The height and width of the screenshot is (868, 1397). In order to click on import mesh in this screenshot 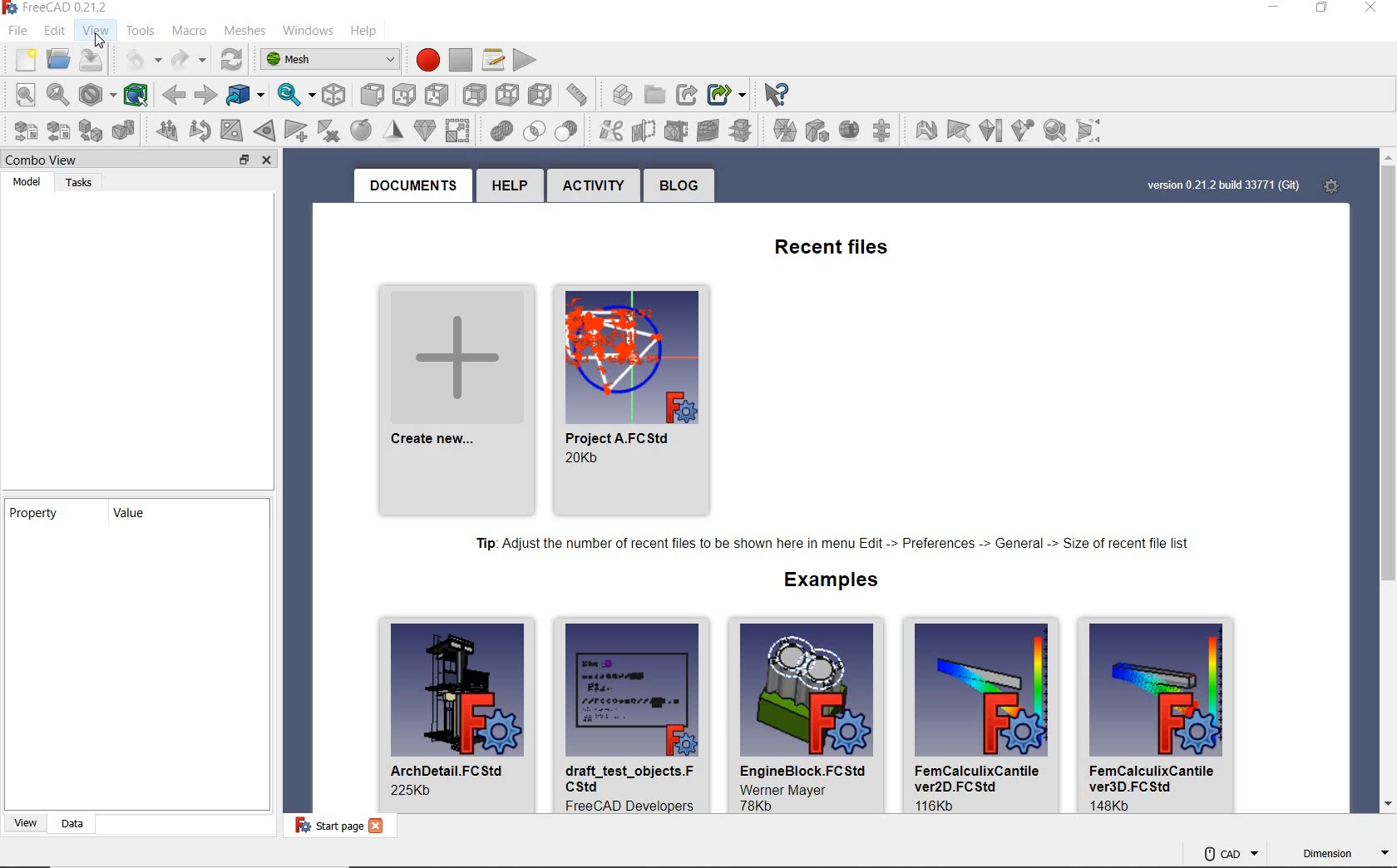, I will do `click(19, 131)`.